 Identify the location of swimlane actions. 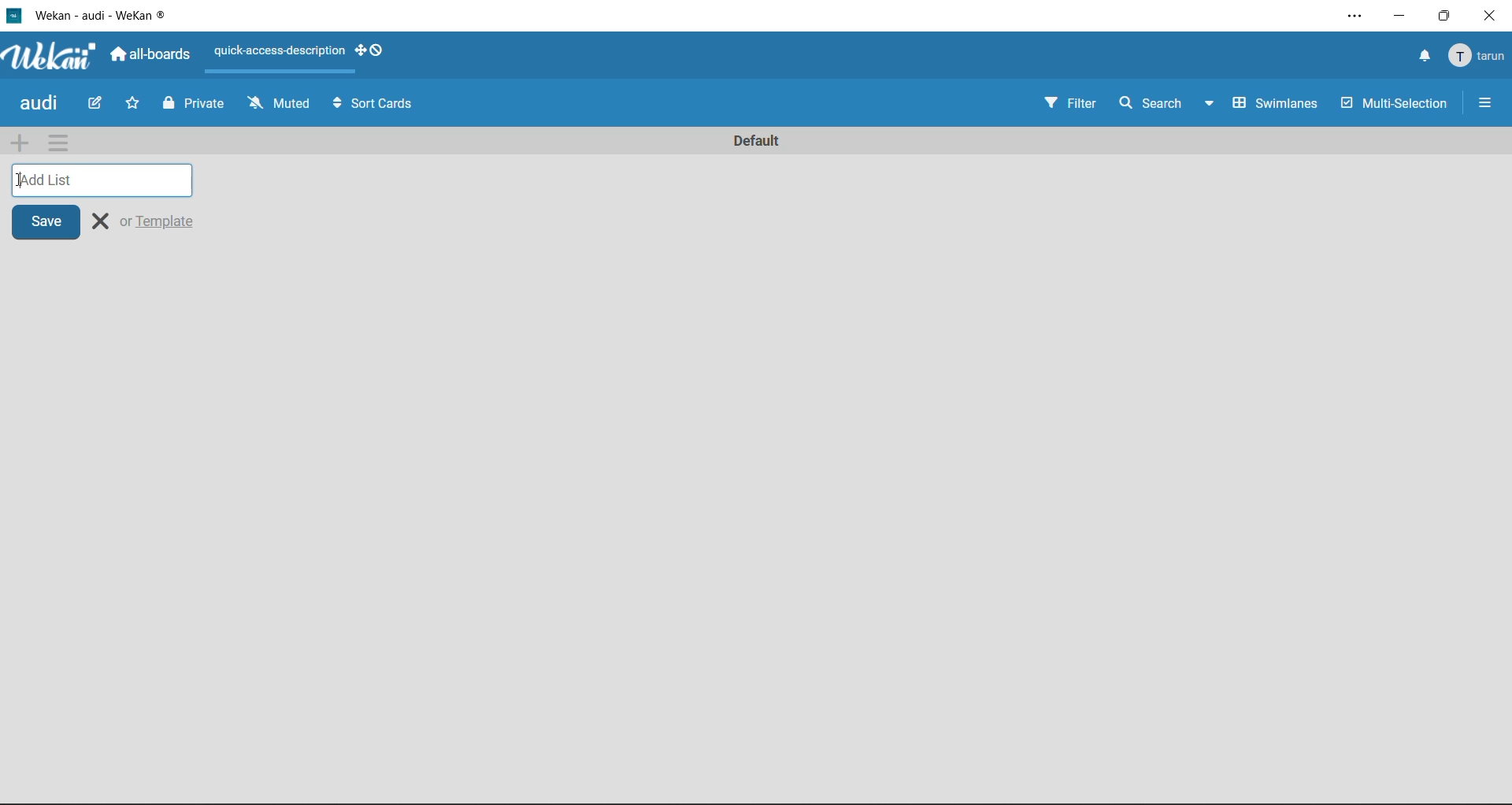
(59, 144).